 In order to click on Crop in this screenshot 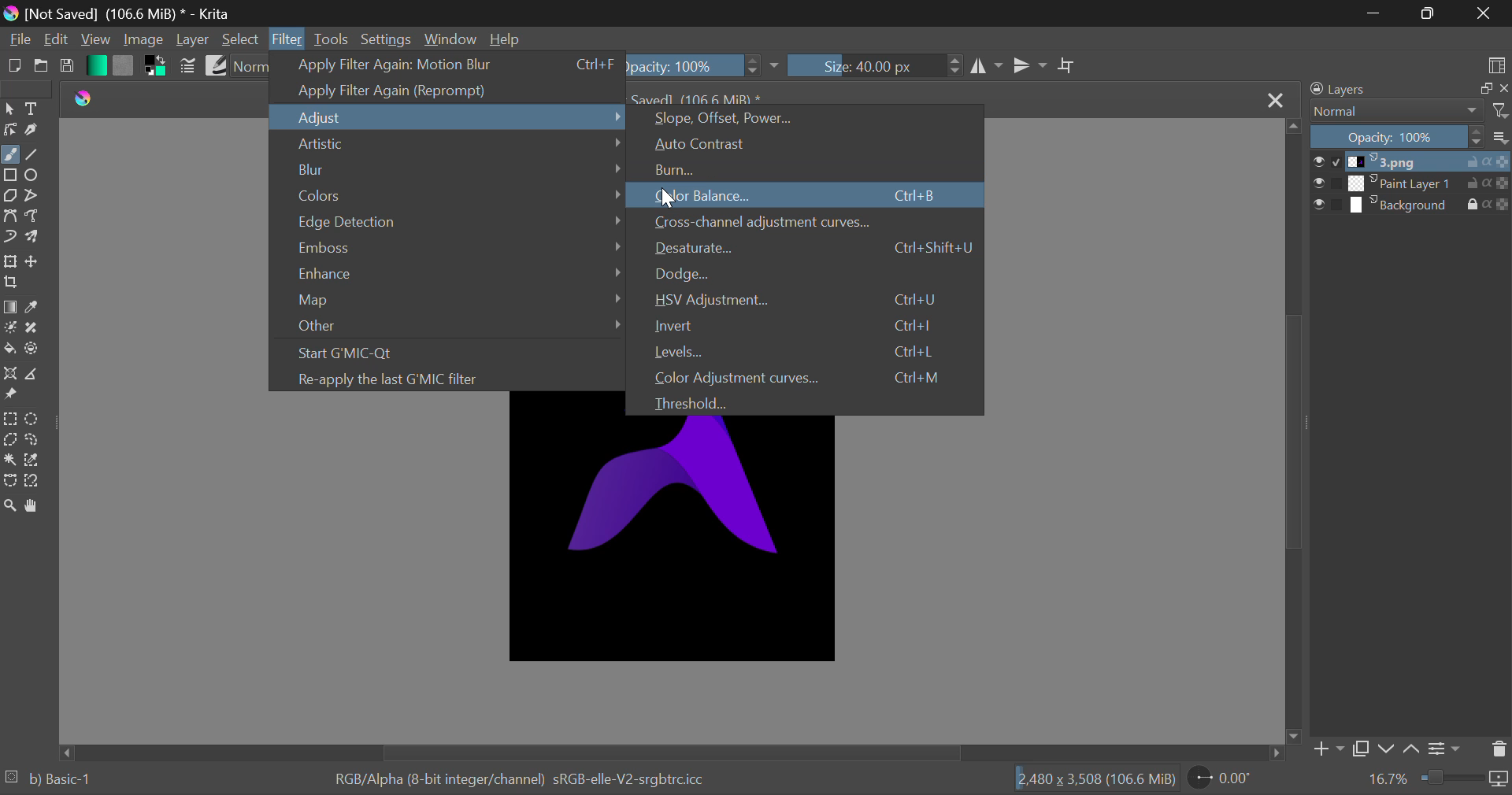, I will do `click(13, 283)`.